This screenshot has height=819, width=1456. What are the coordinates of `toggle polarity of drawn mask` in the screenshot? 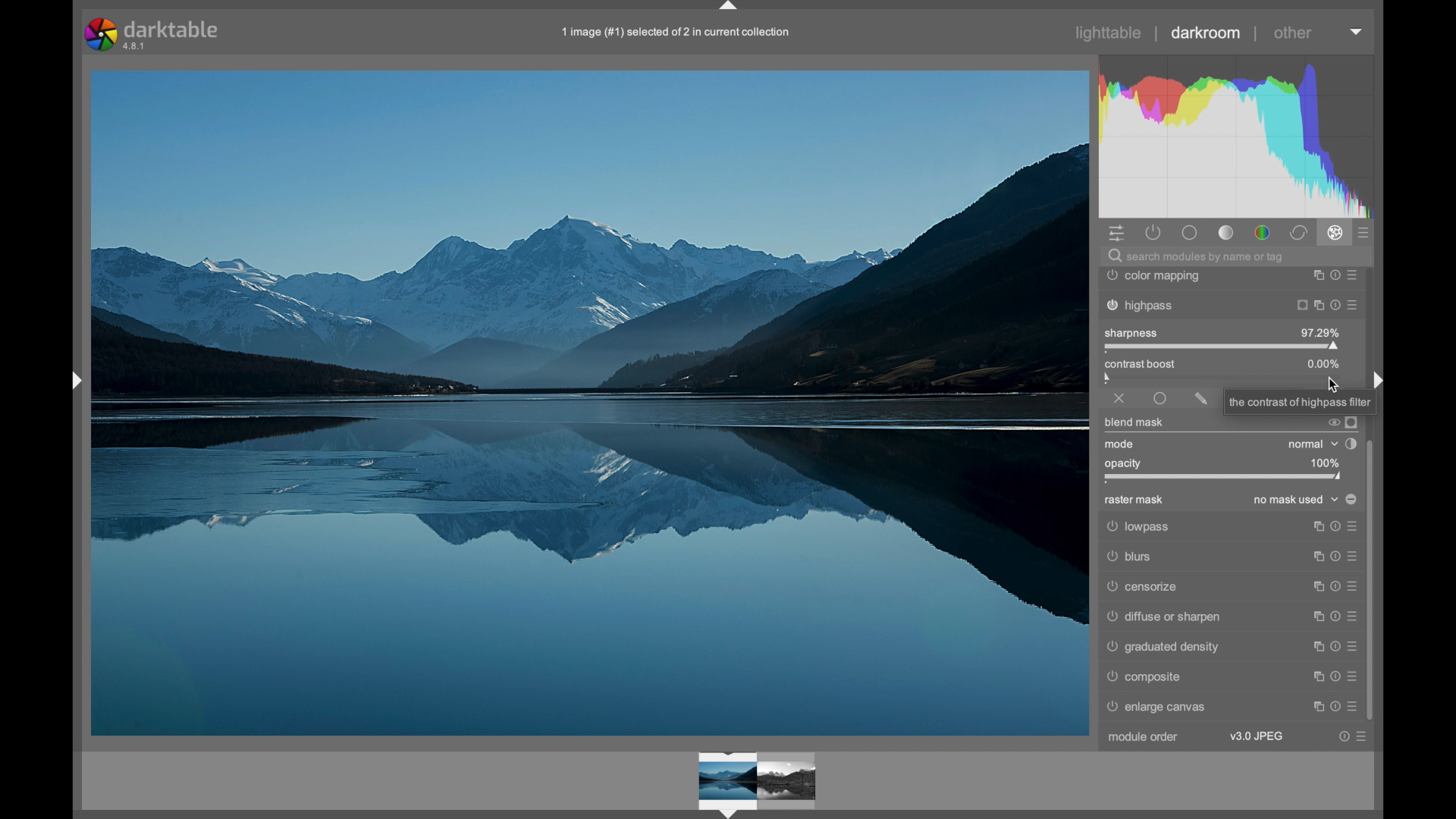 It's located at (1351, 499).